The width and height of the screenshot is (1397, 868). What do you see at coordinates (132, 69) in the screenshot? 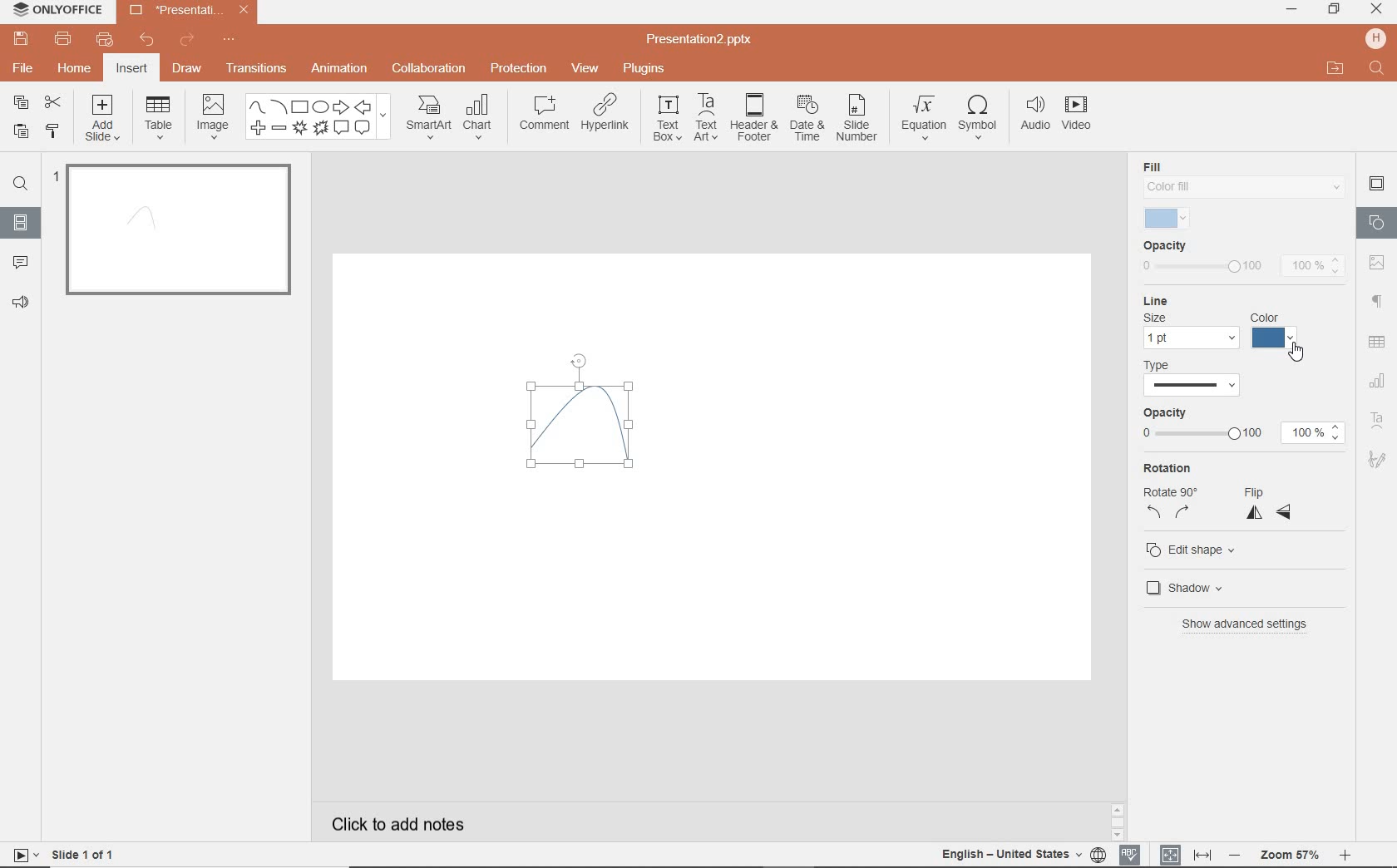
I see `INSERT` at bounding box center [132, 69].